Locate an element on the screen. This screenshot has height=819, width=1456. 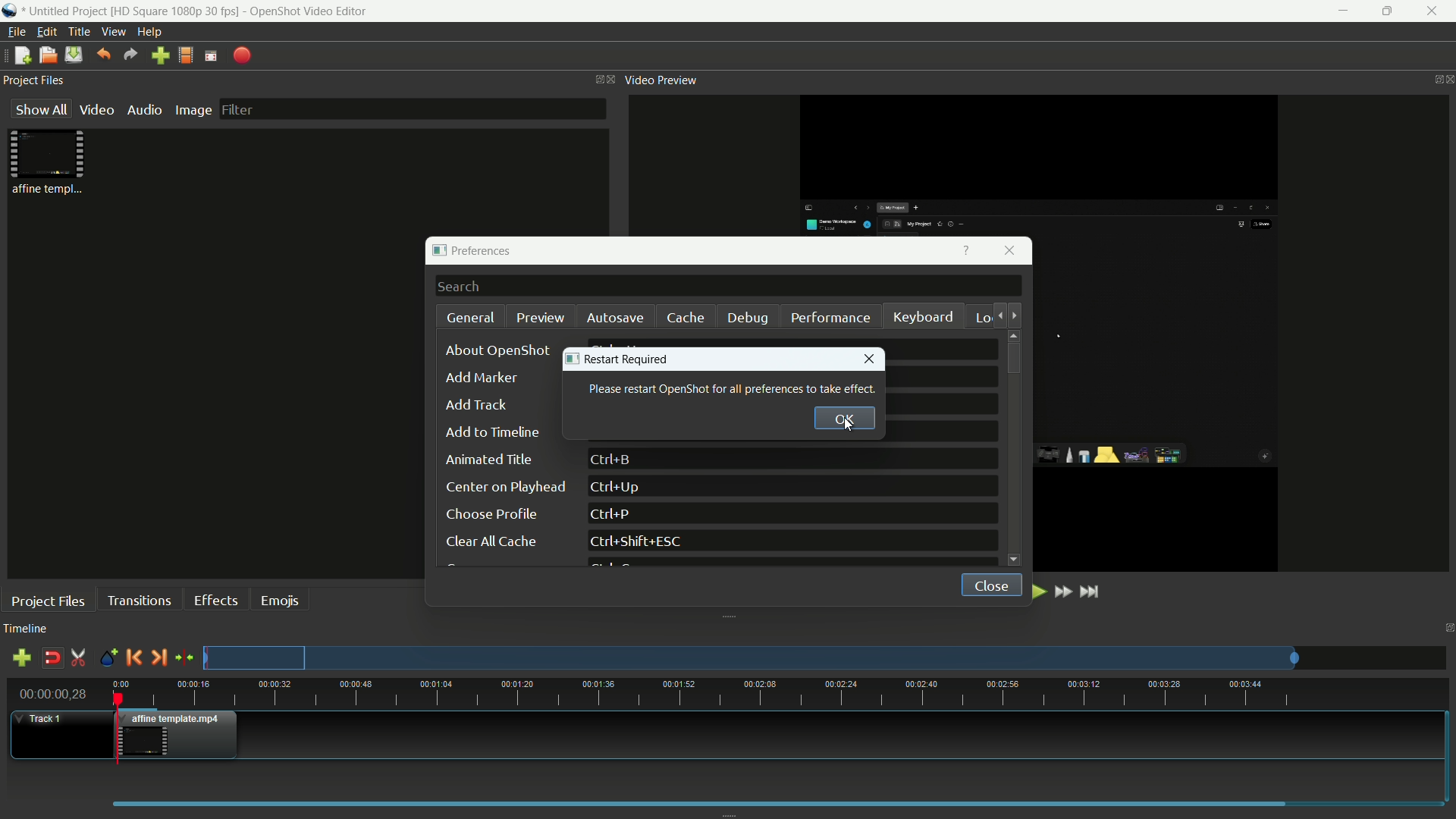
video is located at coordinates (96, 110).